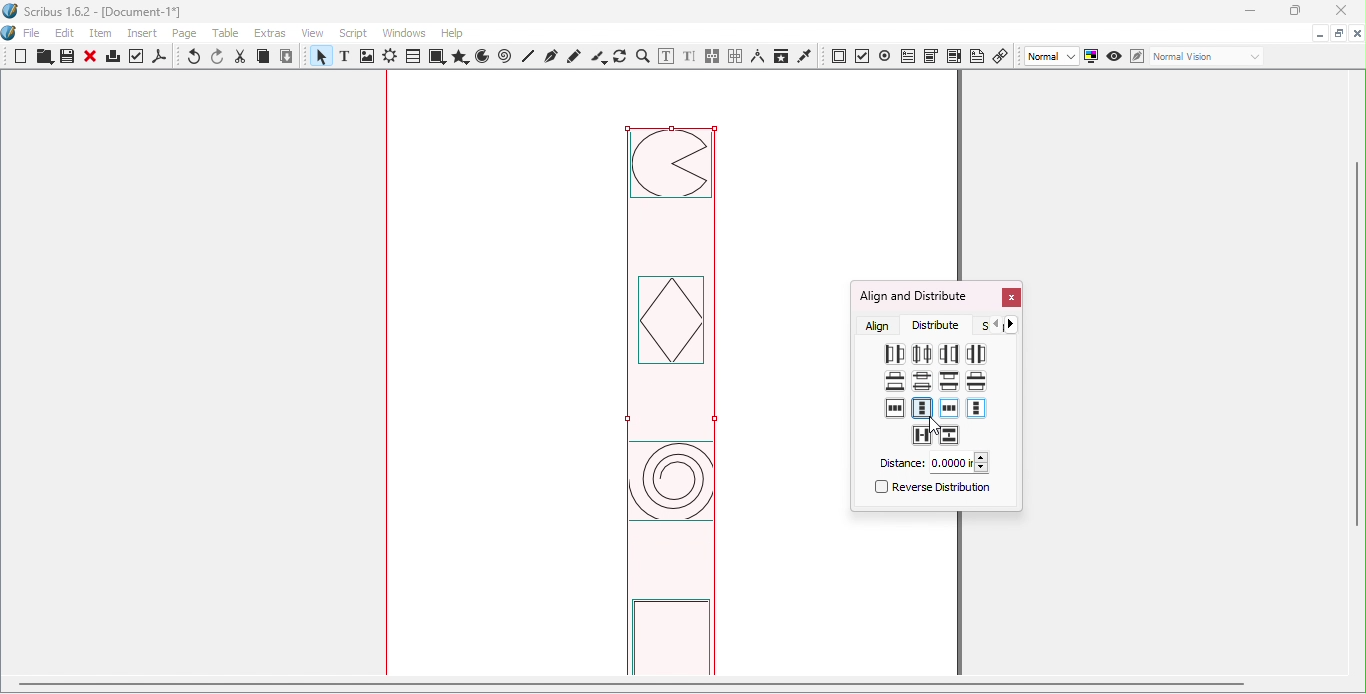 The height and width of the screenshot is (694, 1366). Describe the element at coordinates (317, 32) in the screenshot. I see `View` at that location.